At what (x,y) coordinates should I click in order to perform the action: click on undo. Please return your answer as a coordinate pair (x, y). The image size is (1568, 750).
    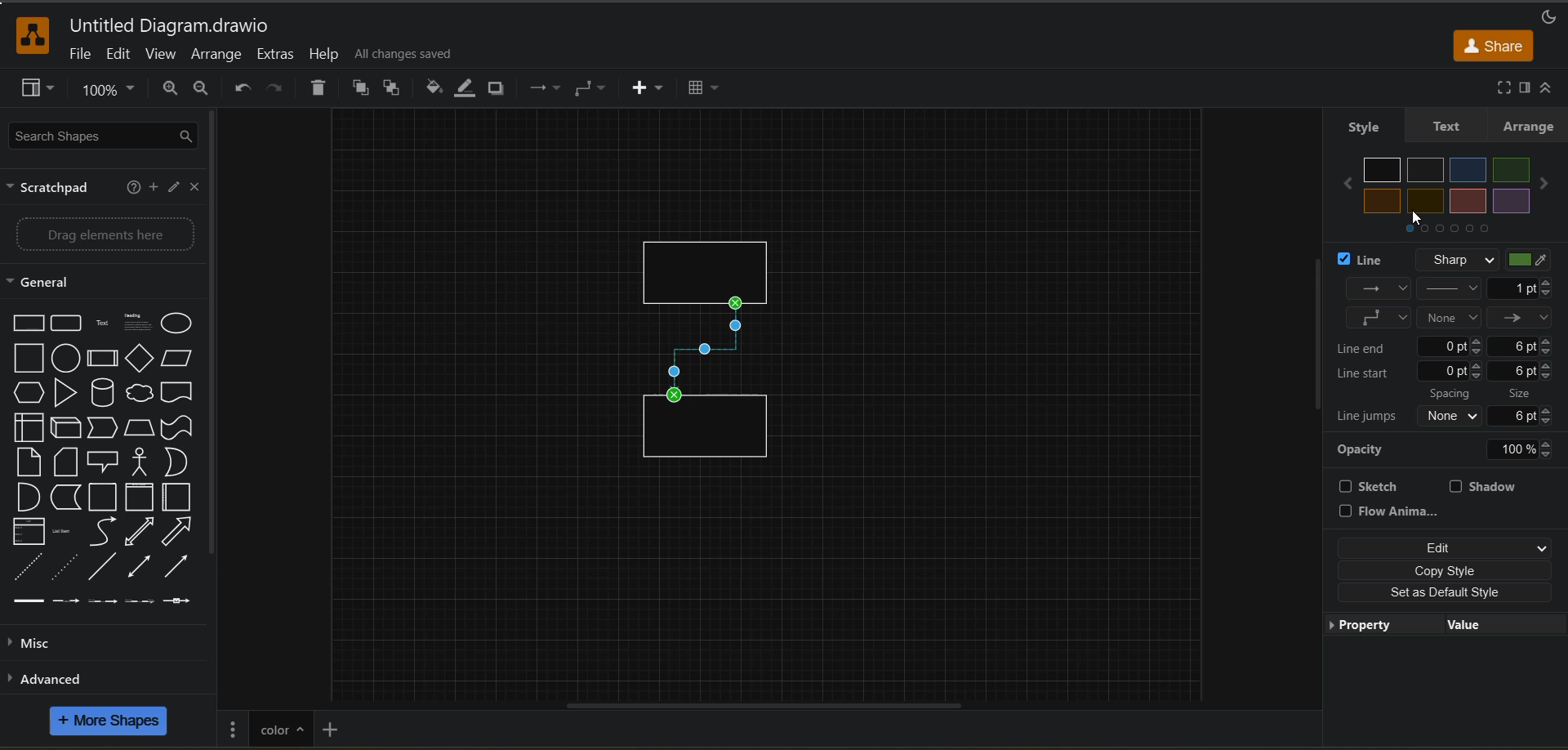
    Looking at the image, I should click on (243, 88).